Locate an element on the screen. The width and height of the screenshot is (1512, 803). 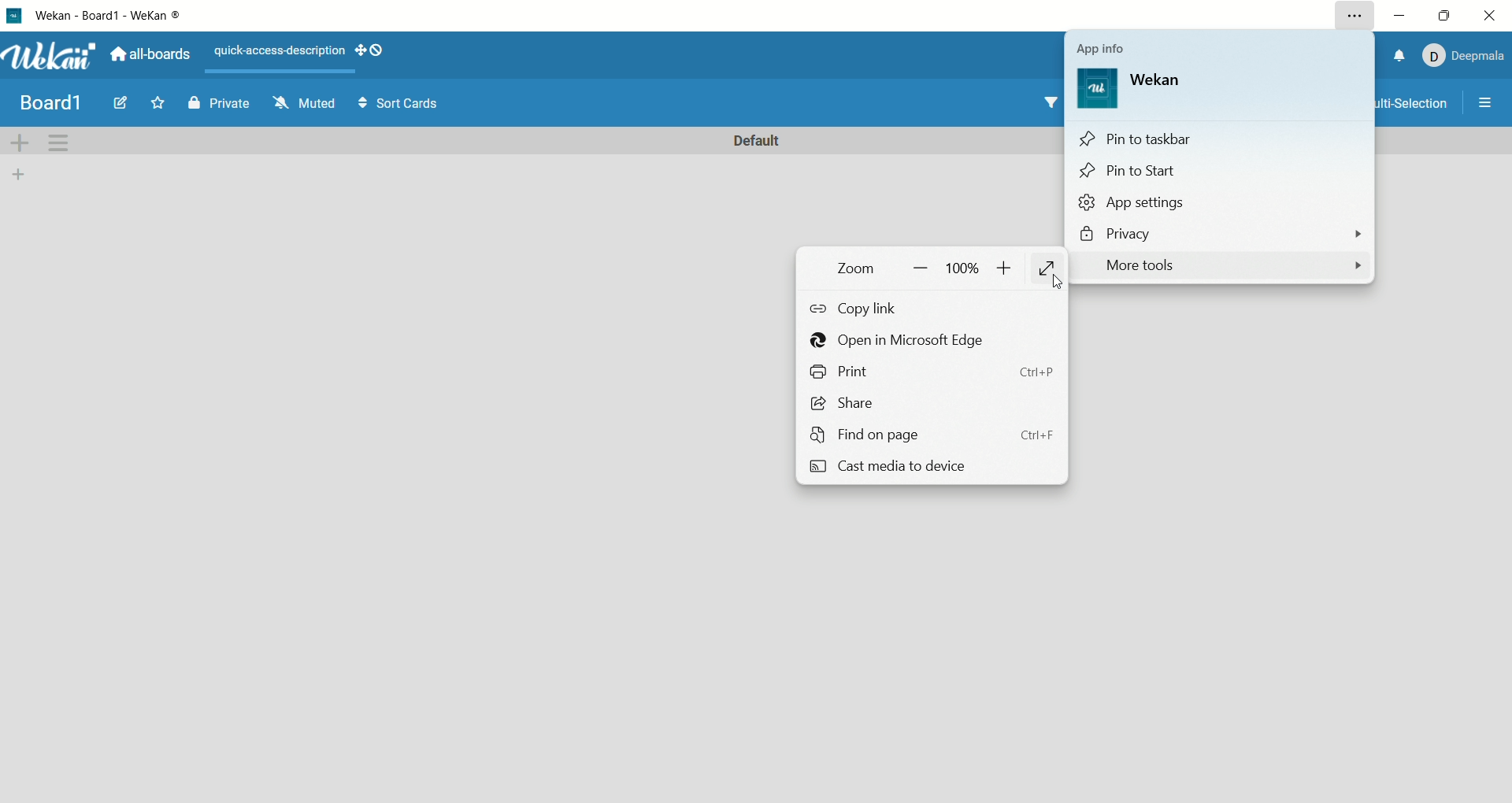
default is located at coordinates (759, 141).